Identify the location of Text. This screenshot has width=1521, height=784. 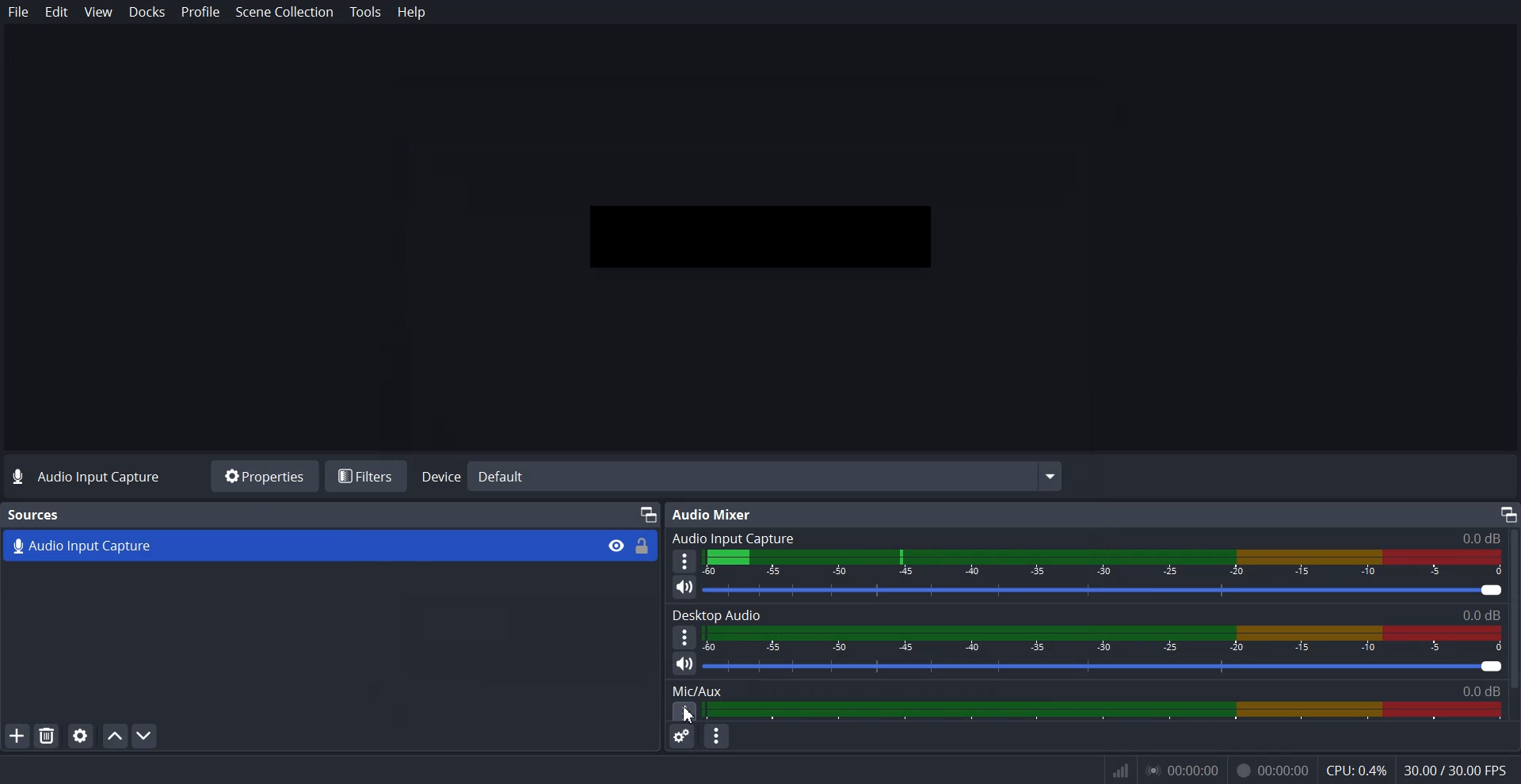
(35, 515).